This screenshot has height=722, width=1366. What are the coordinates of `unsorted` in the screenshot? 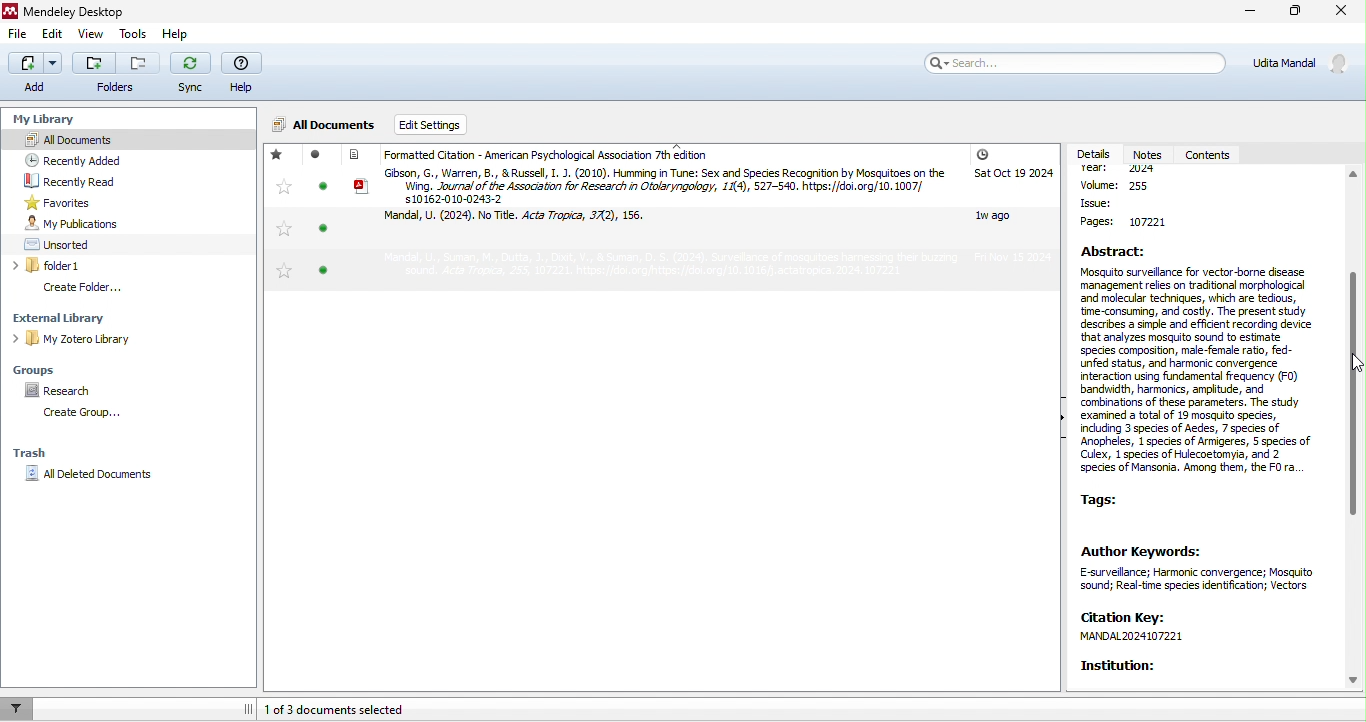 It's located at (74, 243).